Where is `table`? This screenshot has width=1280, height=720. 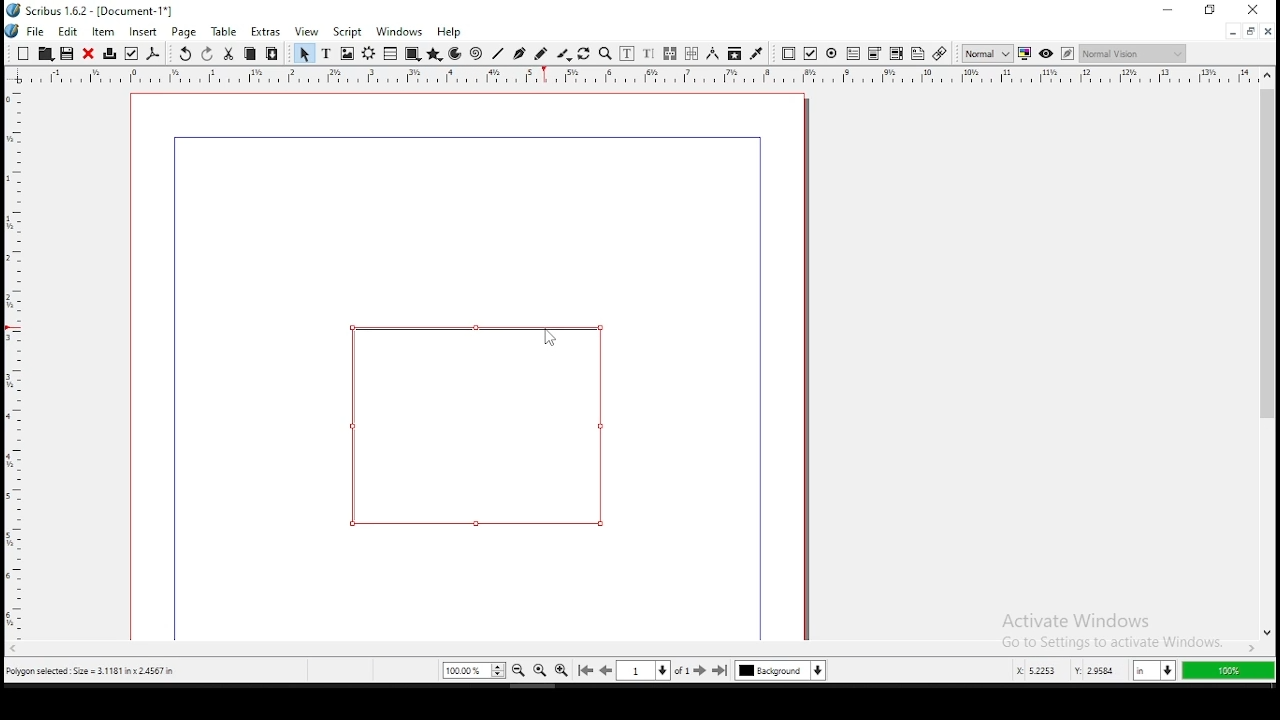 table is located at coordinates (390, 53).